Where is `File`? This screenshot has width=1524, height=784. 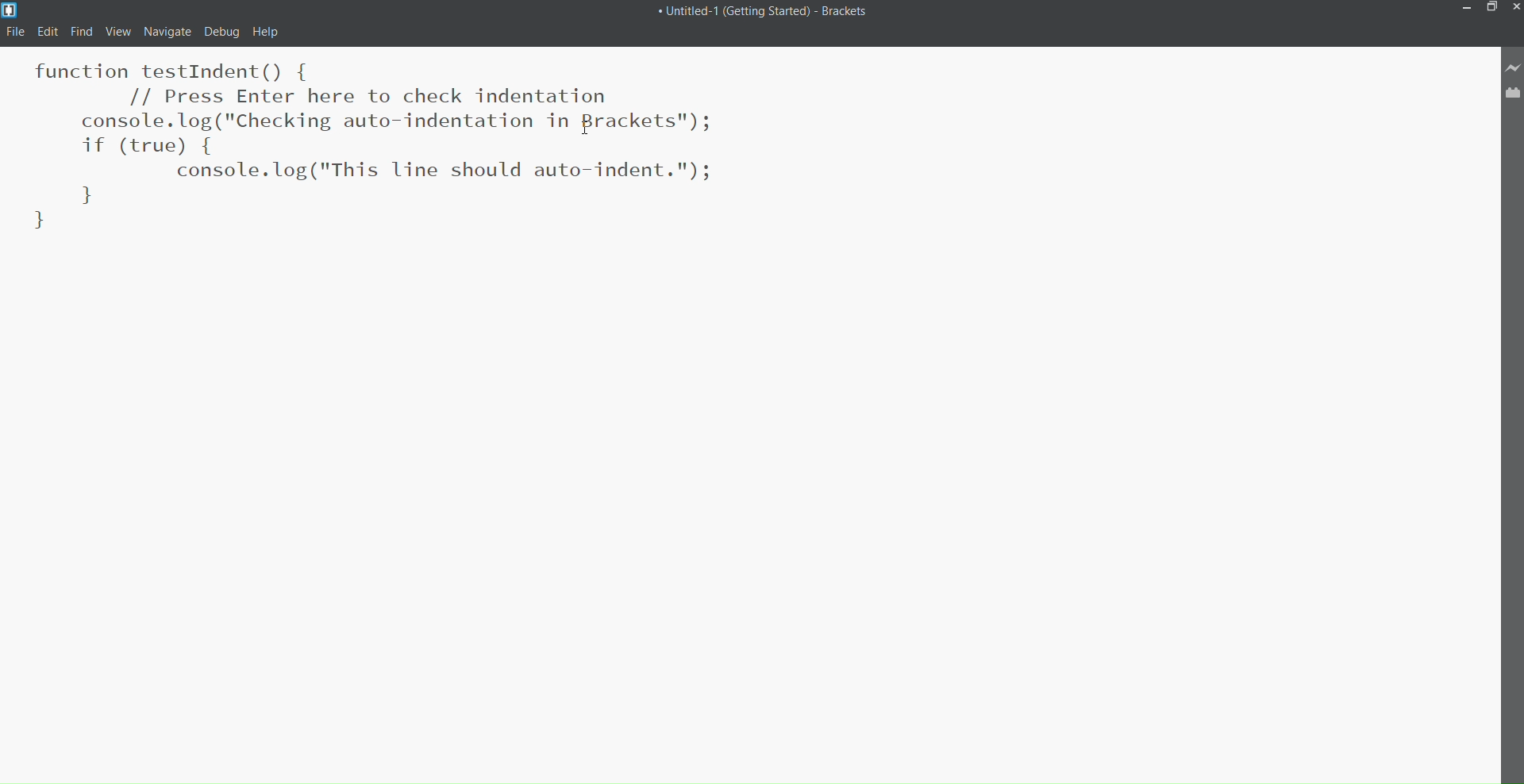 File is located at coordinates (17, 33).